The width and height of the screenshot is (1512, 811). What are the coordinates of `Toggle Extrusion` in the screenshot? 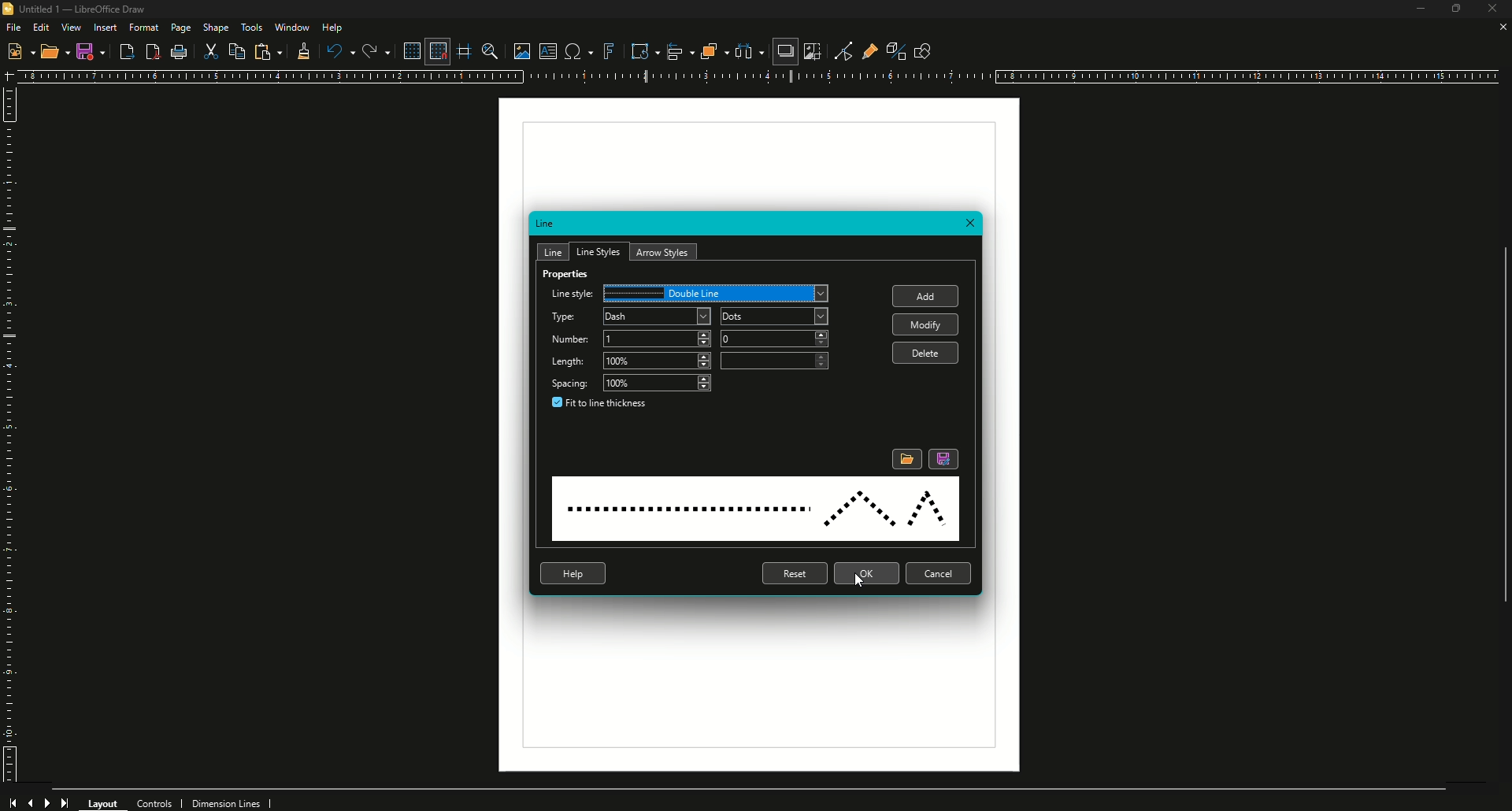 It's located at (890, 49).